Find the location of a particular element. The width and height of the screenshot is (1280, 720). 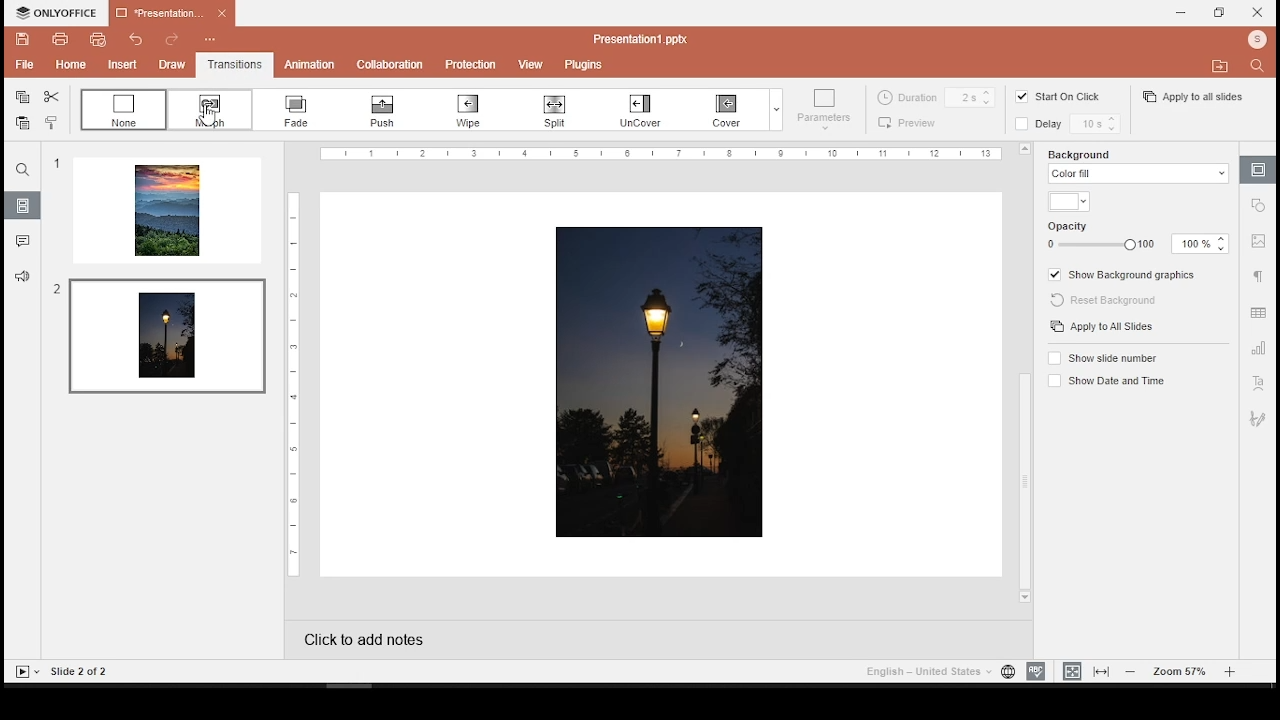

p is located at coordinates (468, 62).